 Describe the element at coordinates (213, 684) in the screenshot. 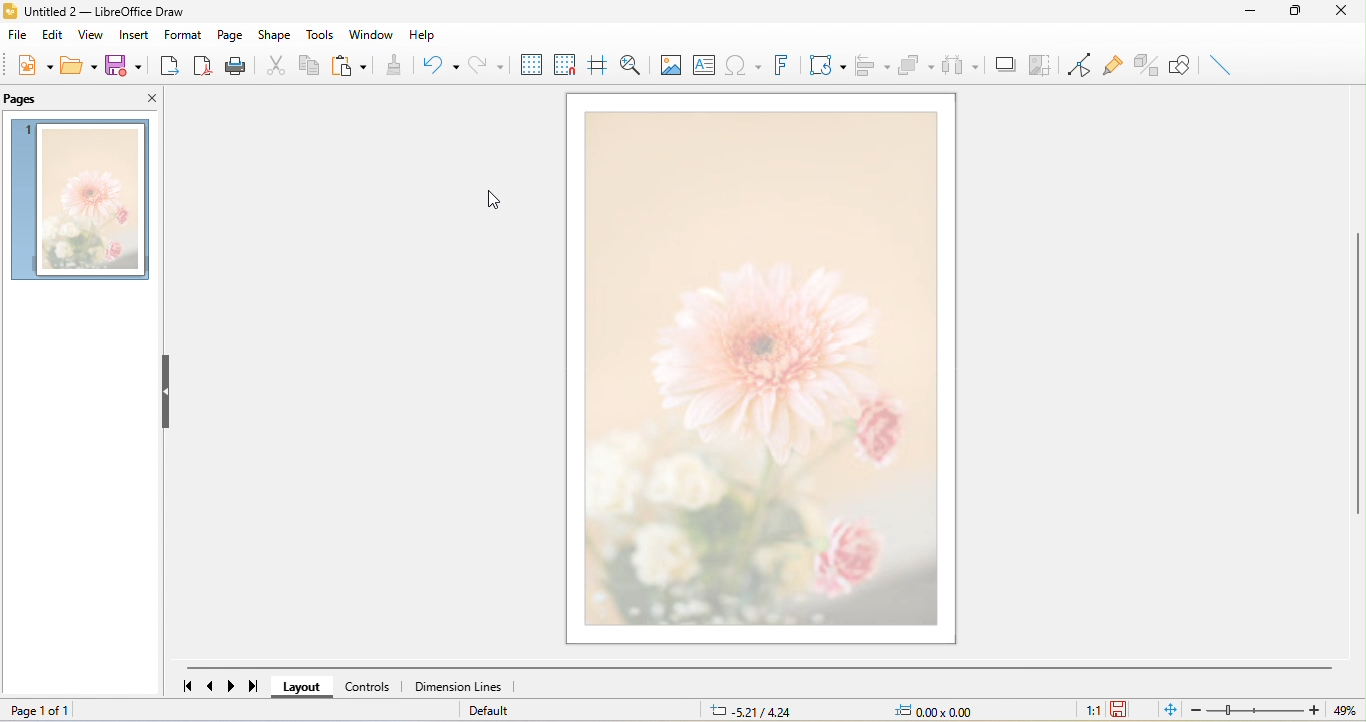

I see `previous page` at that location.